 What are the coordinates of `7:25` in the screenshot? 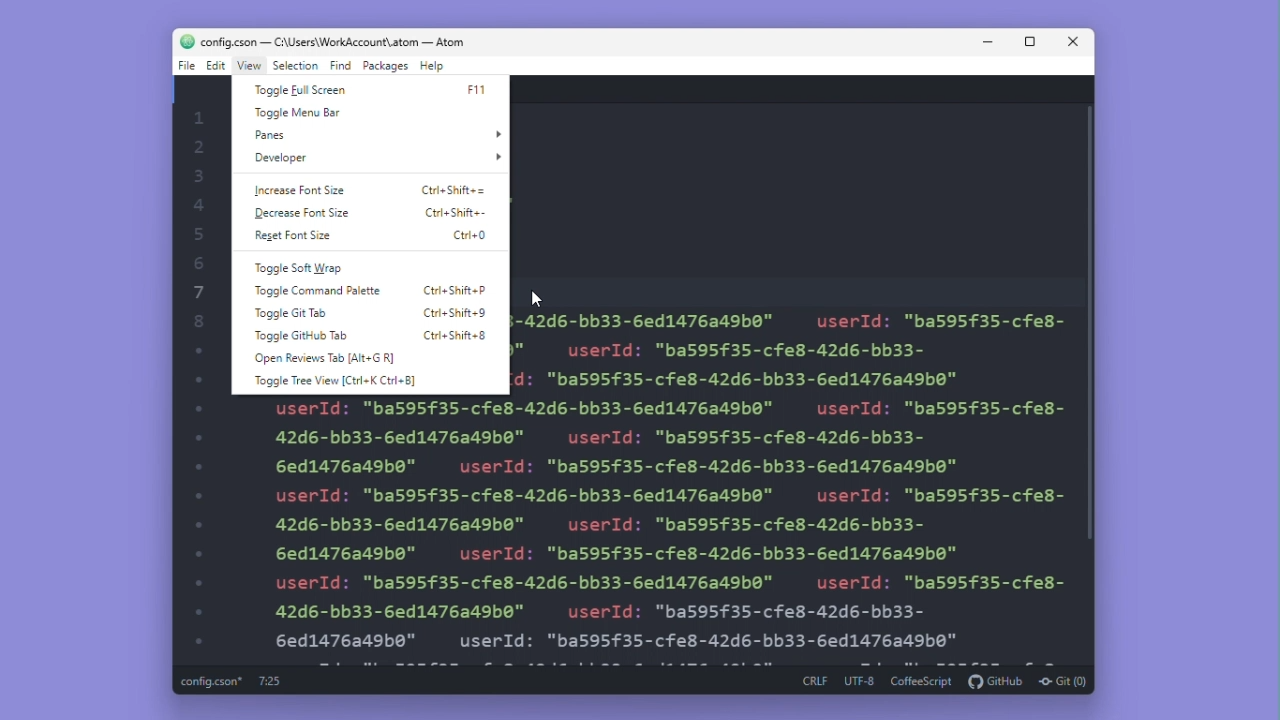 It's located at (269, 681).